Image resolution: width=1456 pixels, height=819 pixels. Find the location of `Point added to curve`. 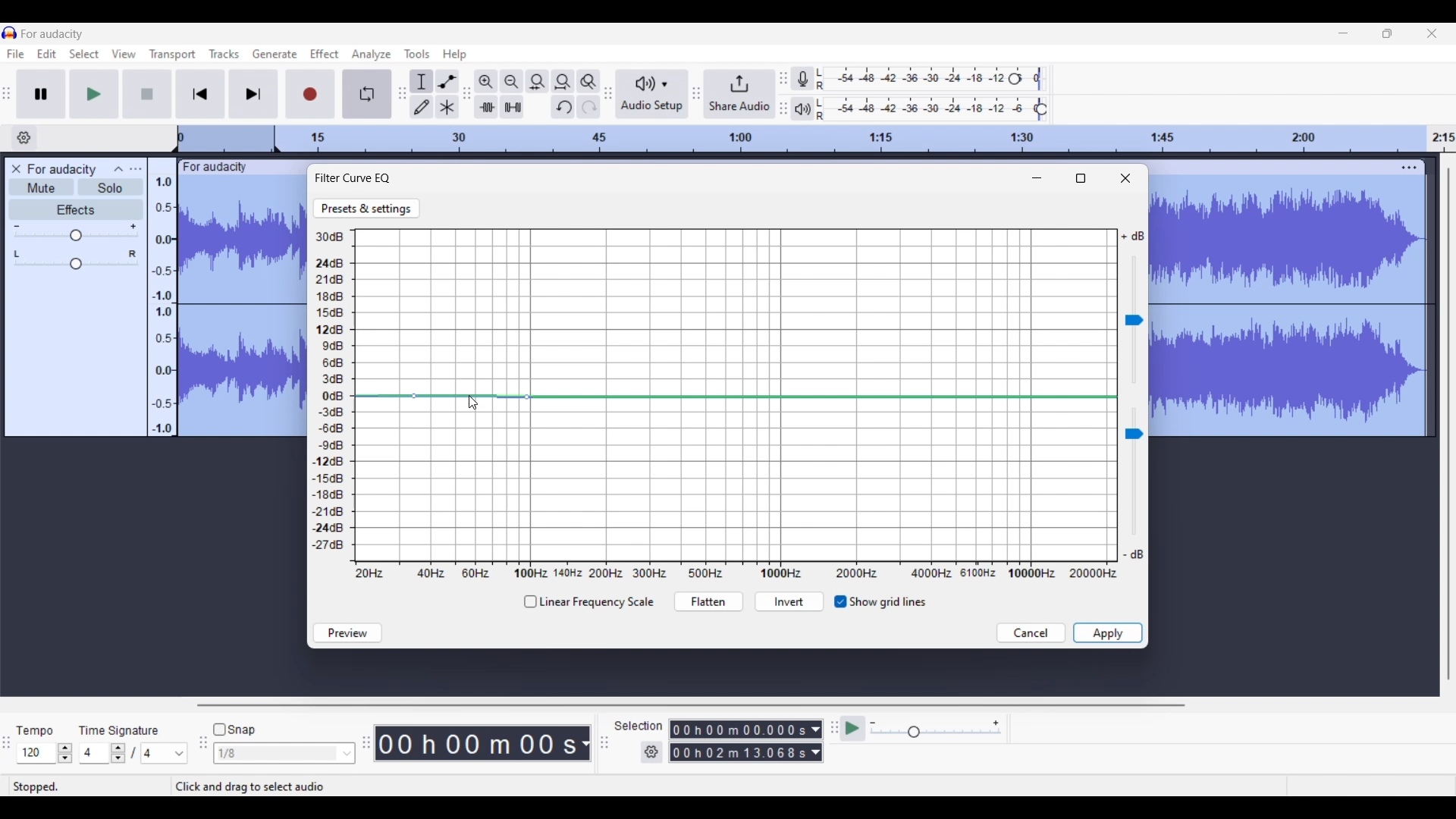

Point added to curve is located at coordinates (414, 397).